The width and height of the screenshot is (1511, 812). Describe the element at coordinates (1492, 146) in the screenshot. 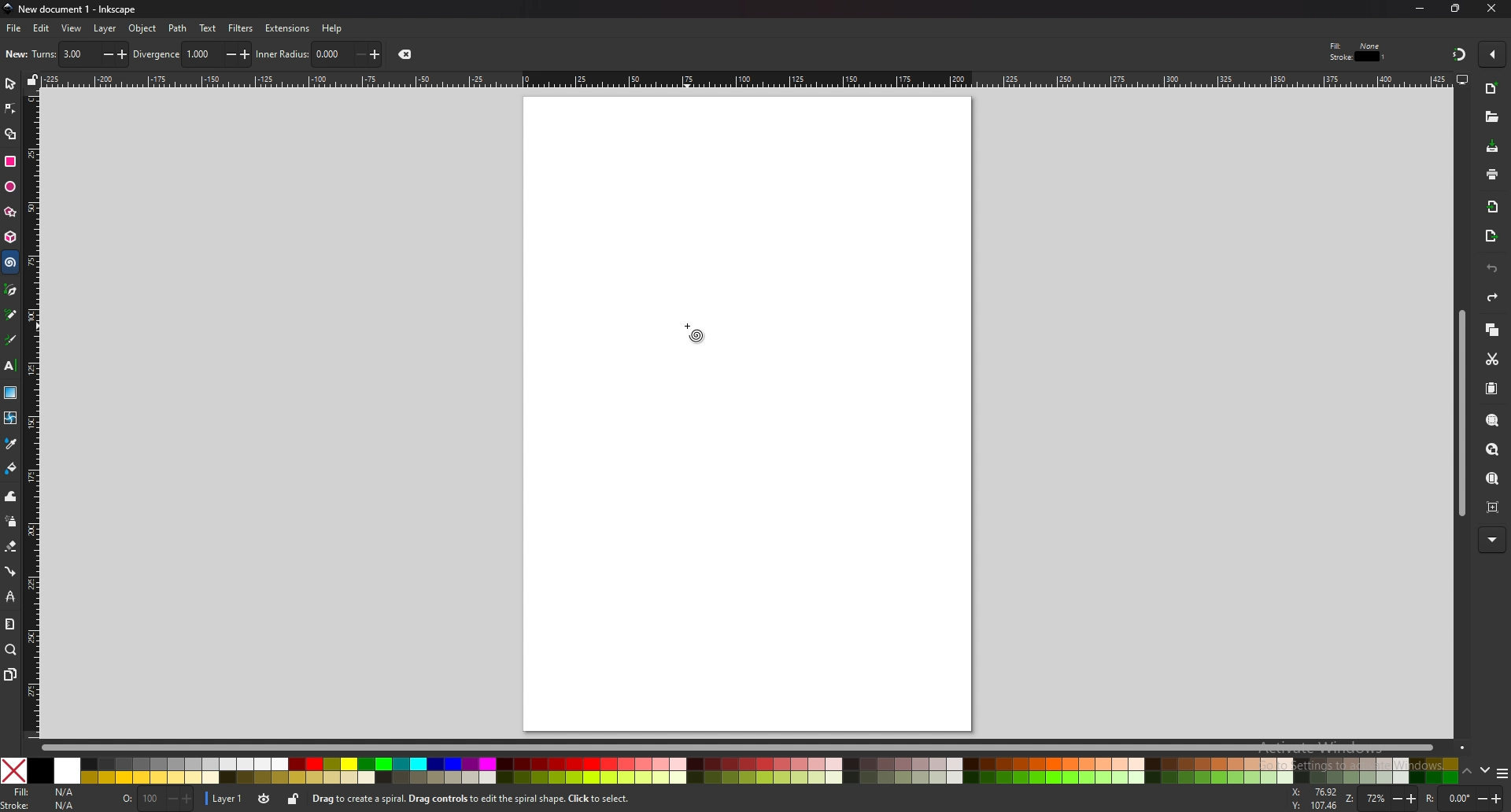

I see `save` at that location.